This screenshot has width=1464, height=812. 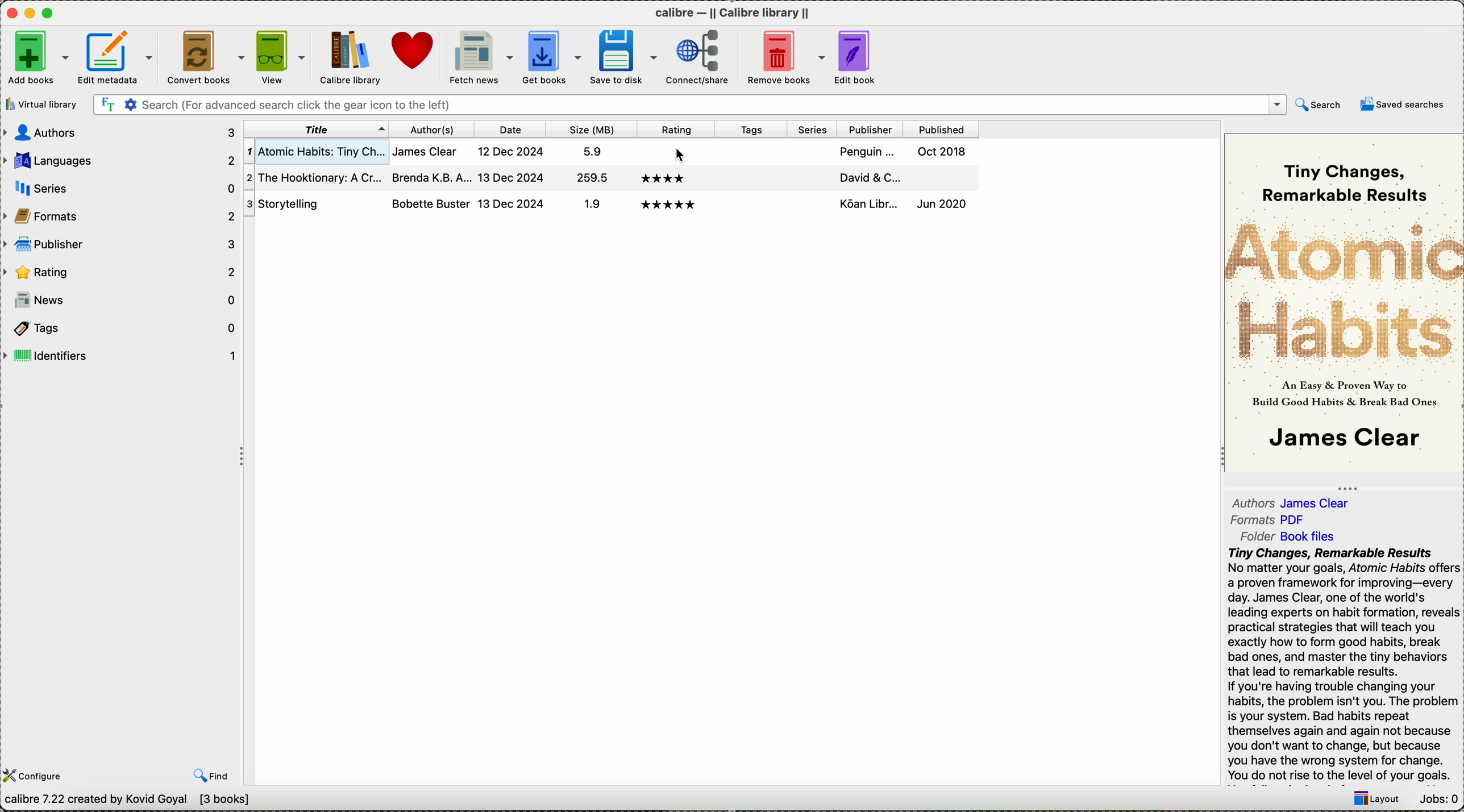 What do you see at coordinates (315, 128) in the screenshot?
I see `title` at bounding box center [315, 128].